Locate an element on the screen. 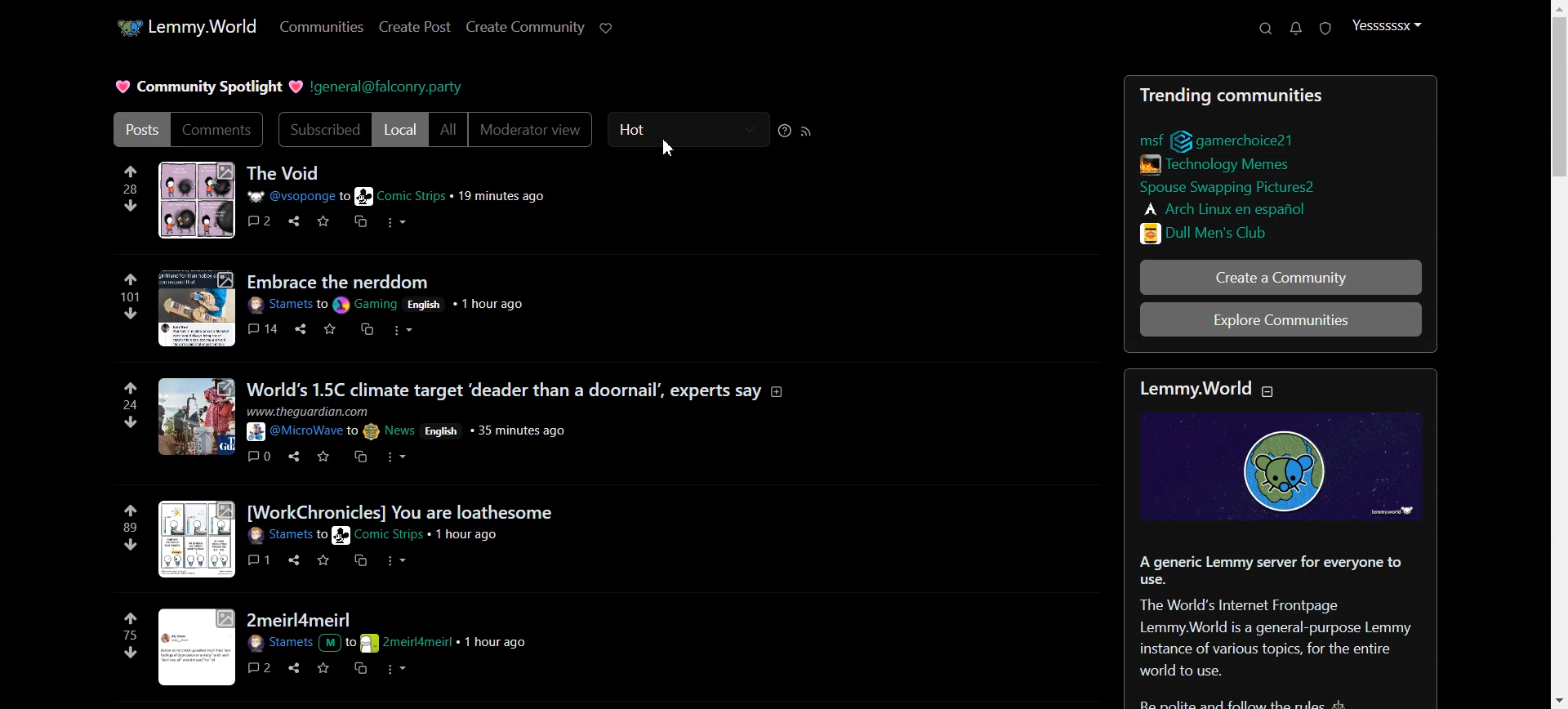 This screenshot has width=1568, height=709. post is located at coordinates (301, 618).